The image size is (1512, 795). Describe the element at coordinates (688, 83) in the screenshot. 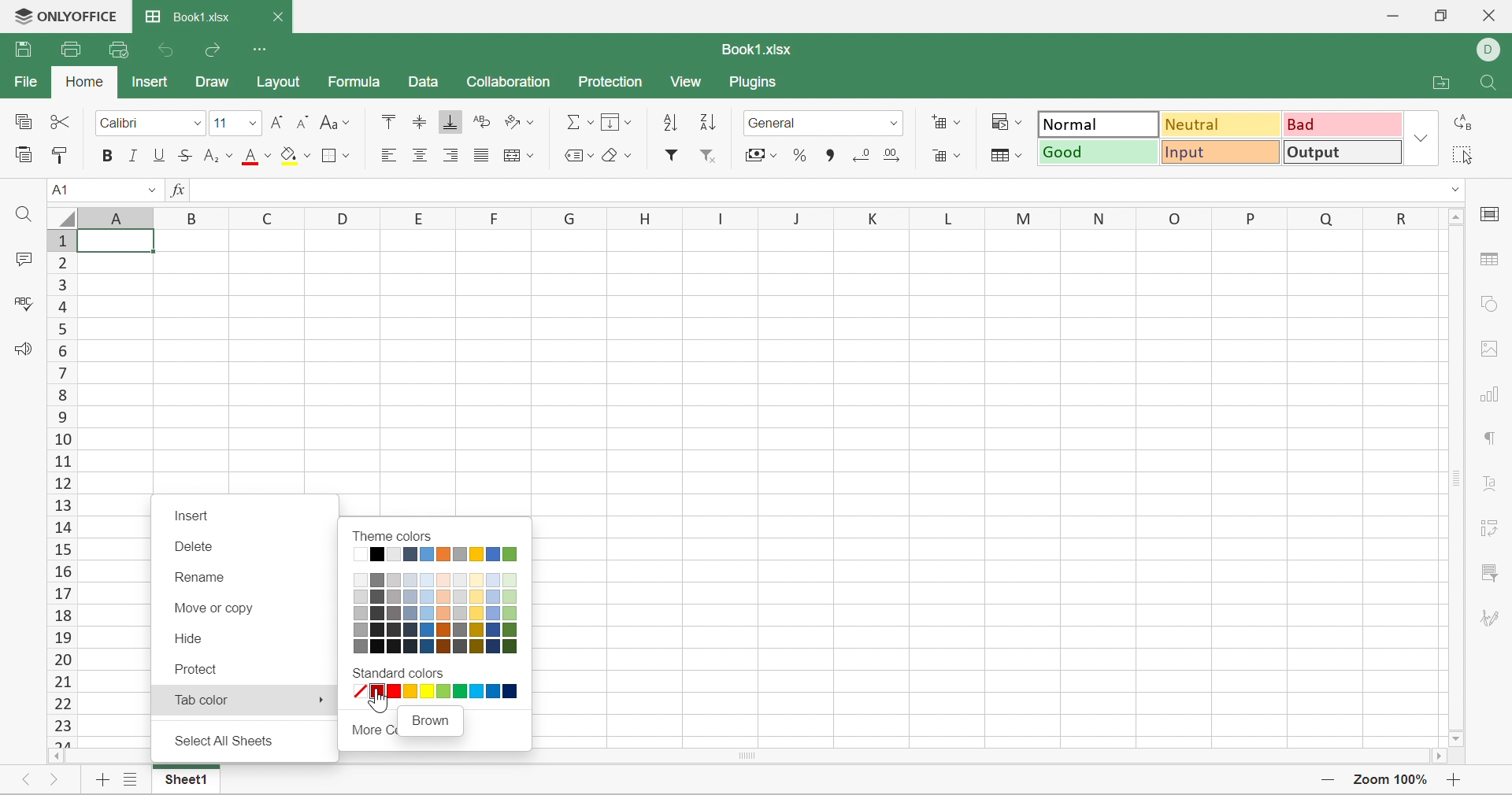

I see `View` at that location.